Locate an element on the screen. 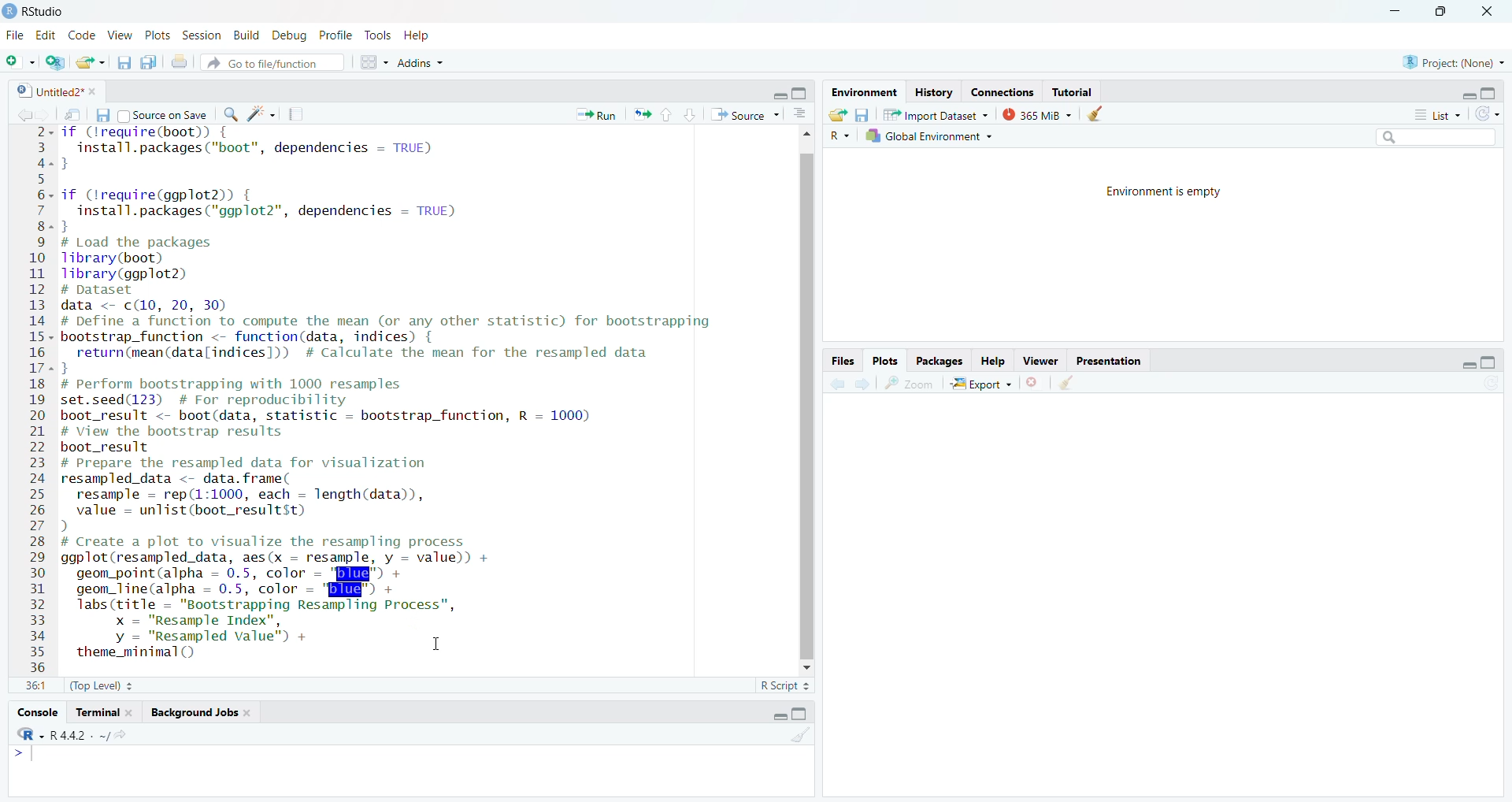 Image resolution: width=1512 pixels, height=802 pixels. background Jobs is located at coordinates (200, 715).